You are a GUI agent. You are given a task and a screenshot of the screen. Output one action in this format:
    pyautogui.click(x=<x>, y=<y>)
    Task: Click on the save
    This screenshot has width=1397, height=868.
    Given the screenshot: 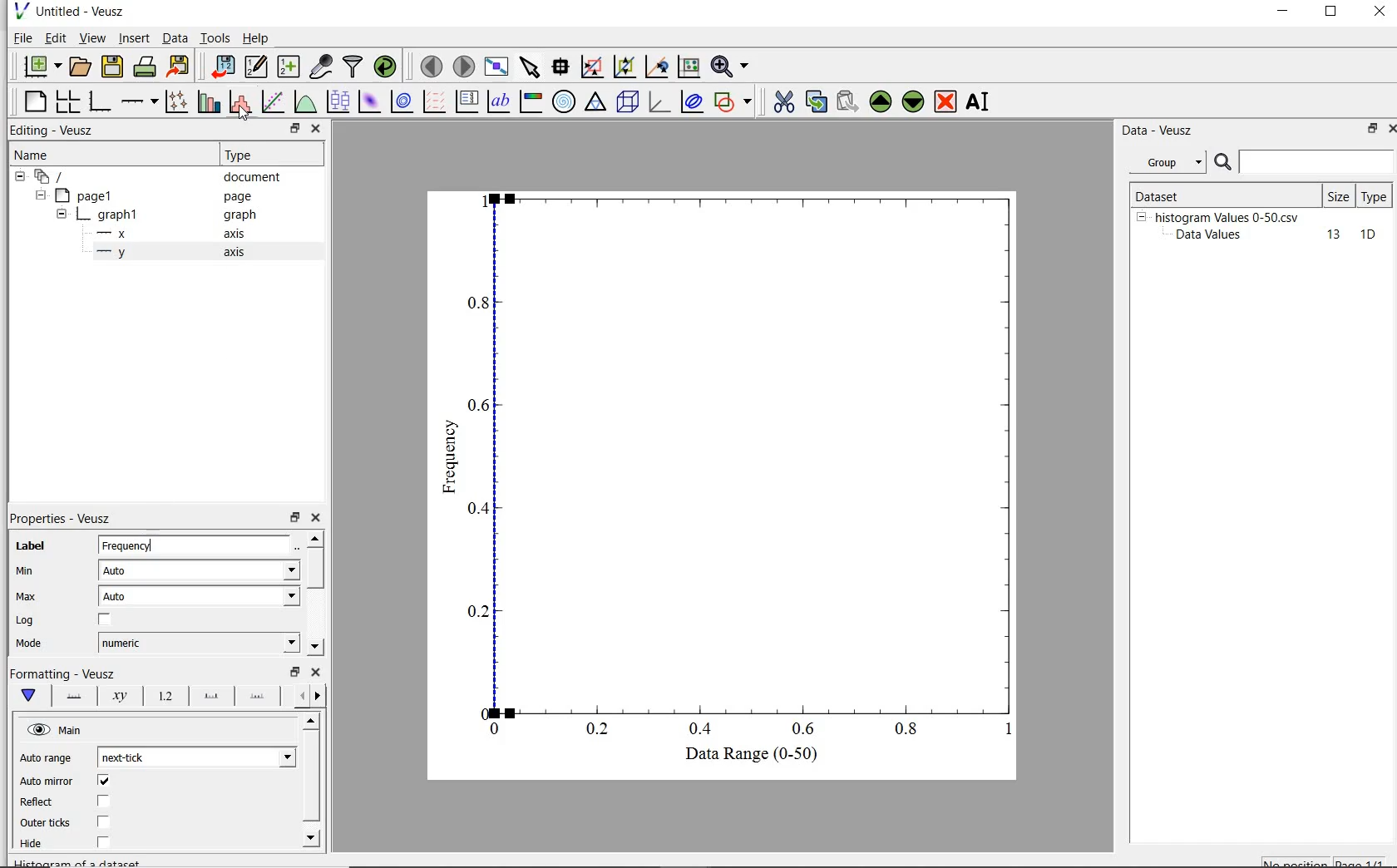 What is the action you would take?
    pyautogui.click(x=113, y=65)
    